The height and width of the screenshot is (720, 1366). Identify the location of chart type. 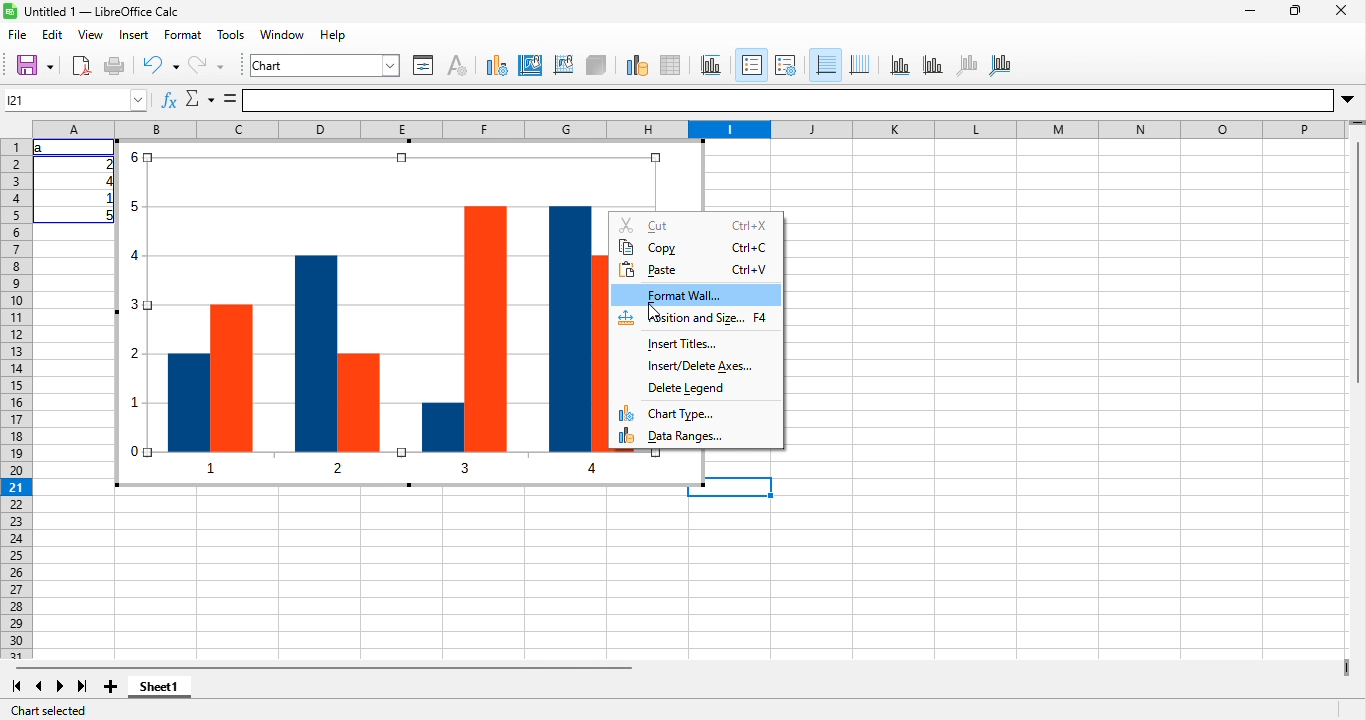
(497, 67).